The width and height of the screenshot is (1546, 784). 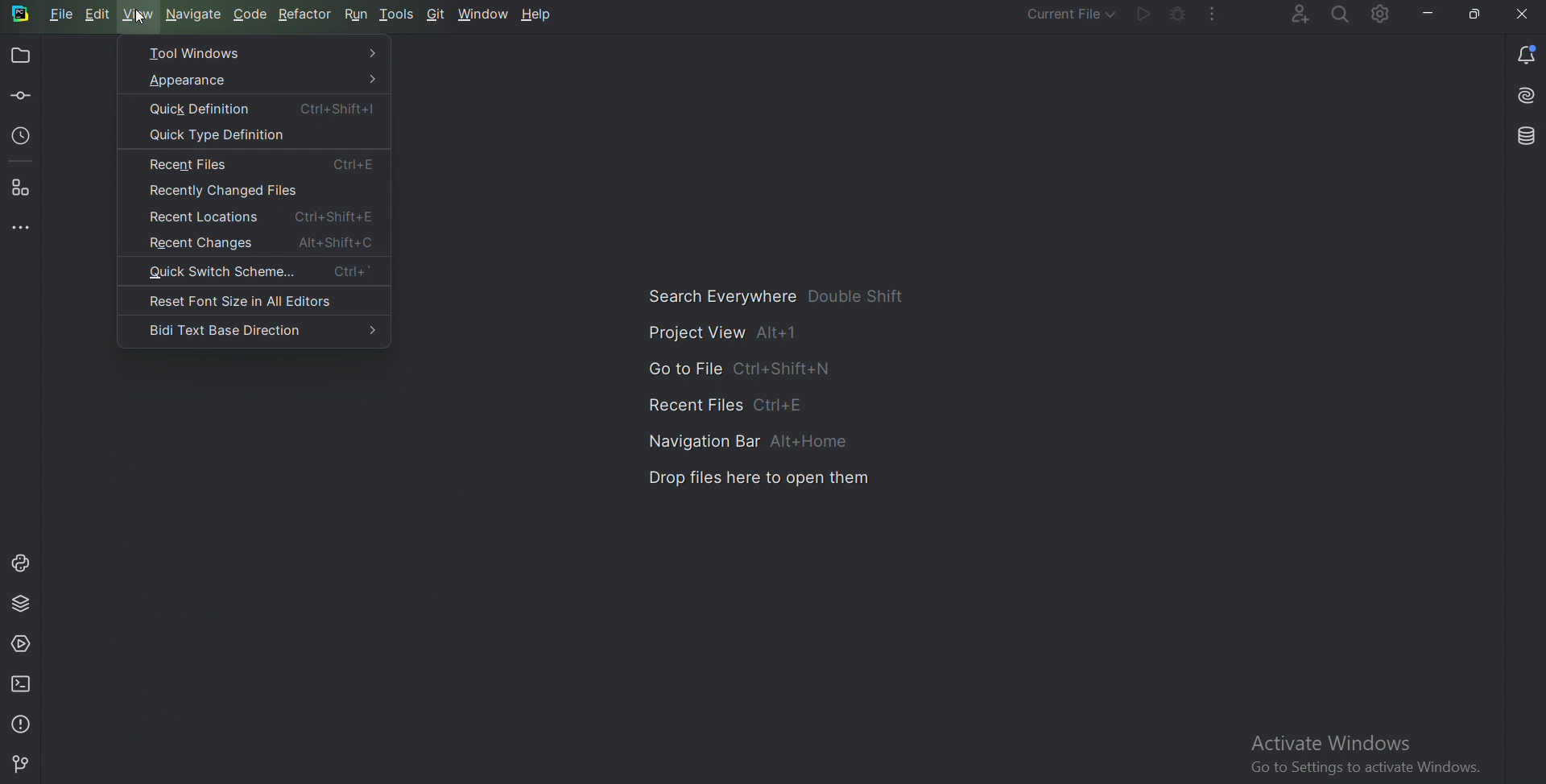 What do you see at coordinates (60, 14) in the screenshot?
I see `File` at bounding box center [60, 14].